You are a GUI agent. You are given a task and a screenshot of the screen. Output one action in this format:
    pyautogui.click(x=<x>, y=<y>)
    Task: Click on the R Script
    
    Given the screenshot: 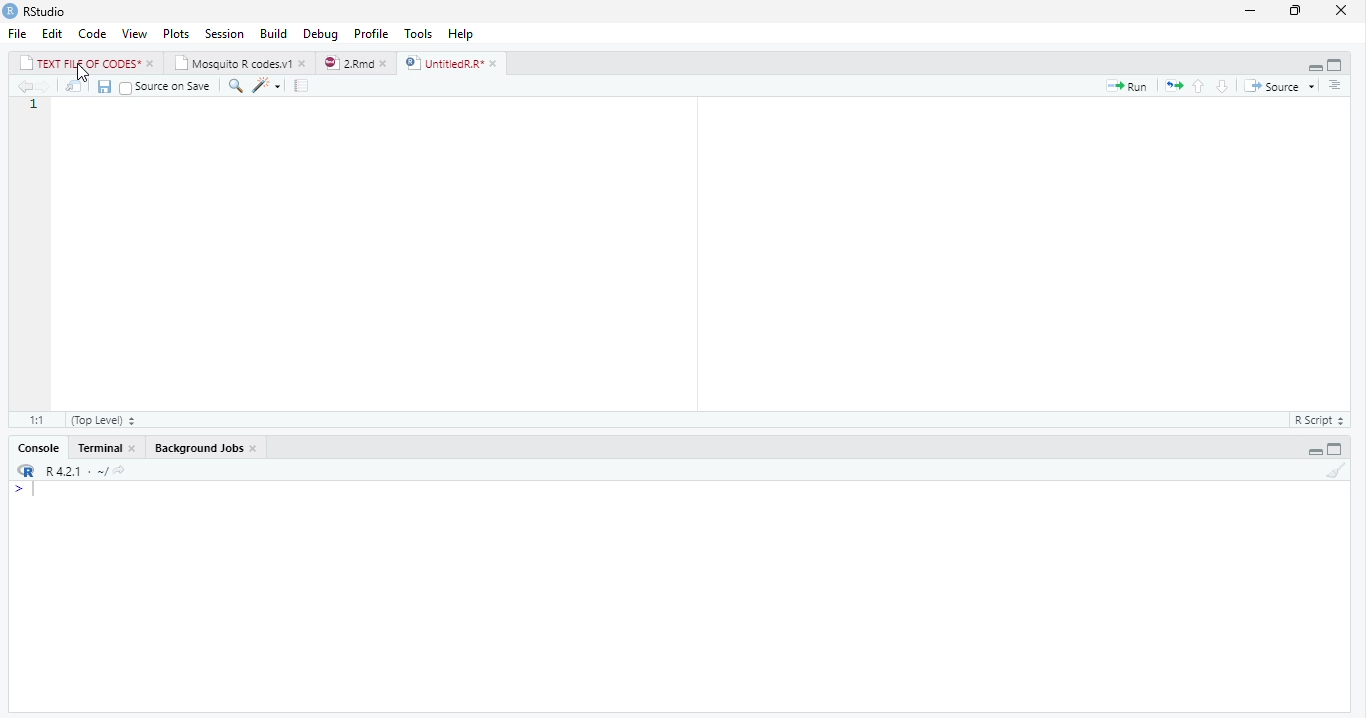 What is the action you would take?
    pyautogui.click(x=1317, y=421)
    